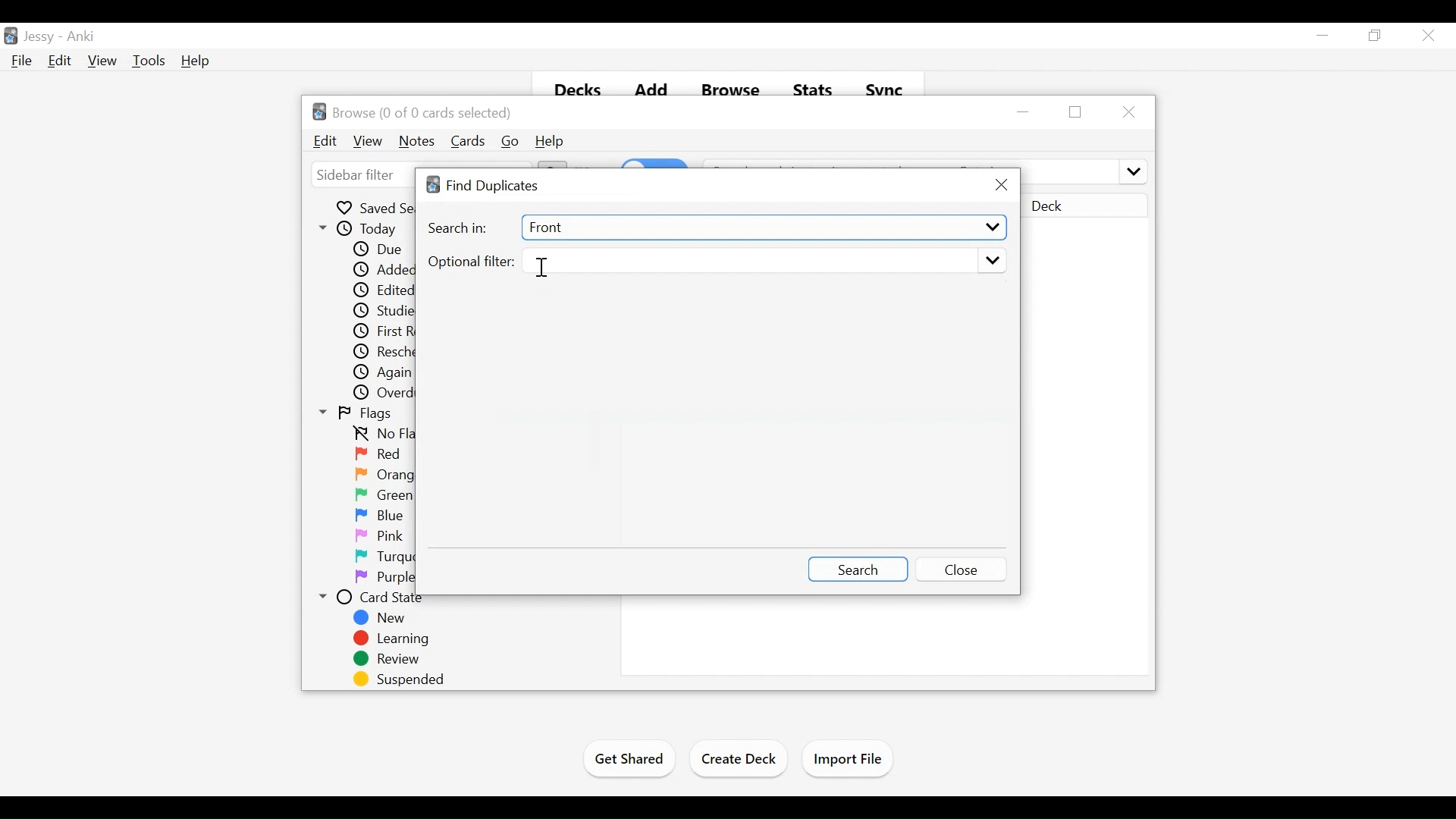  I want to click on Close, so click(963, 568).